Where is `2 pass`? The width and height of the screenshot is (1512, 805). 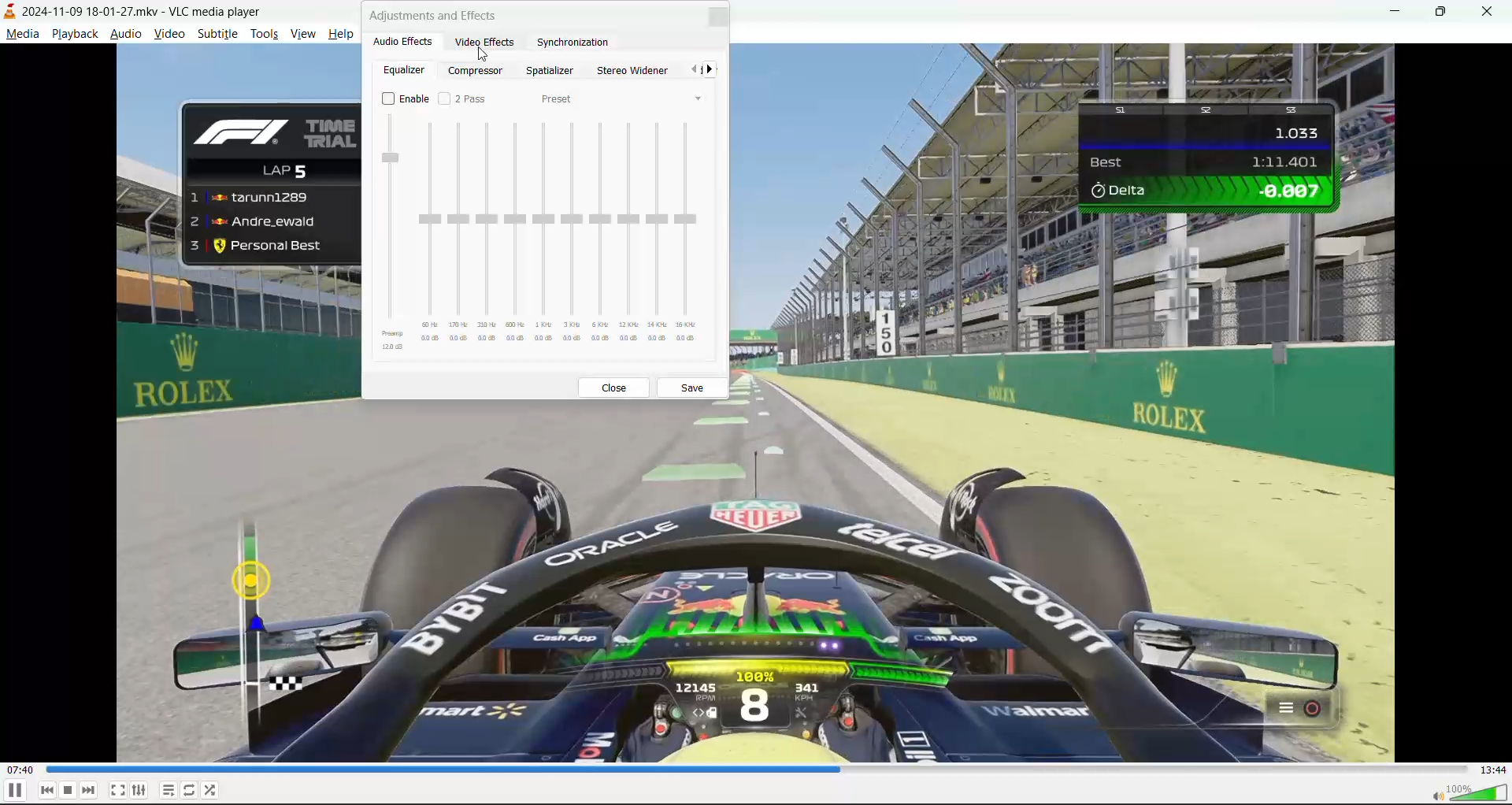
2 pass is located at coordinates (463, 98).